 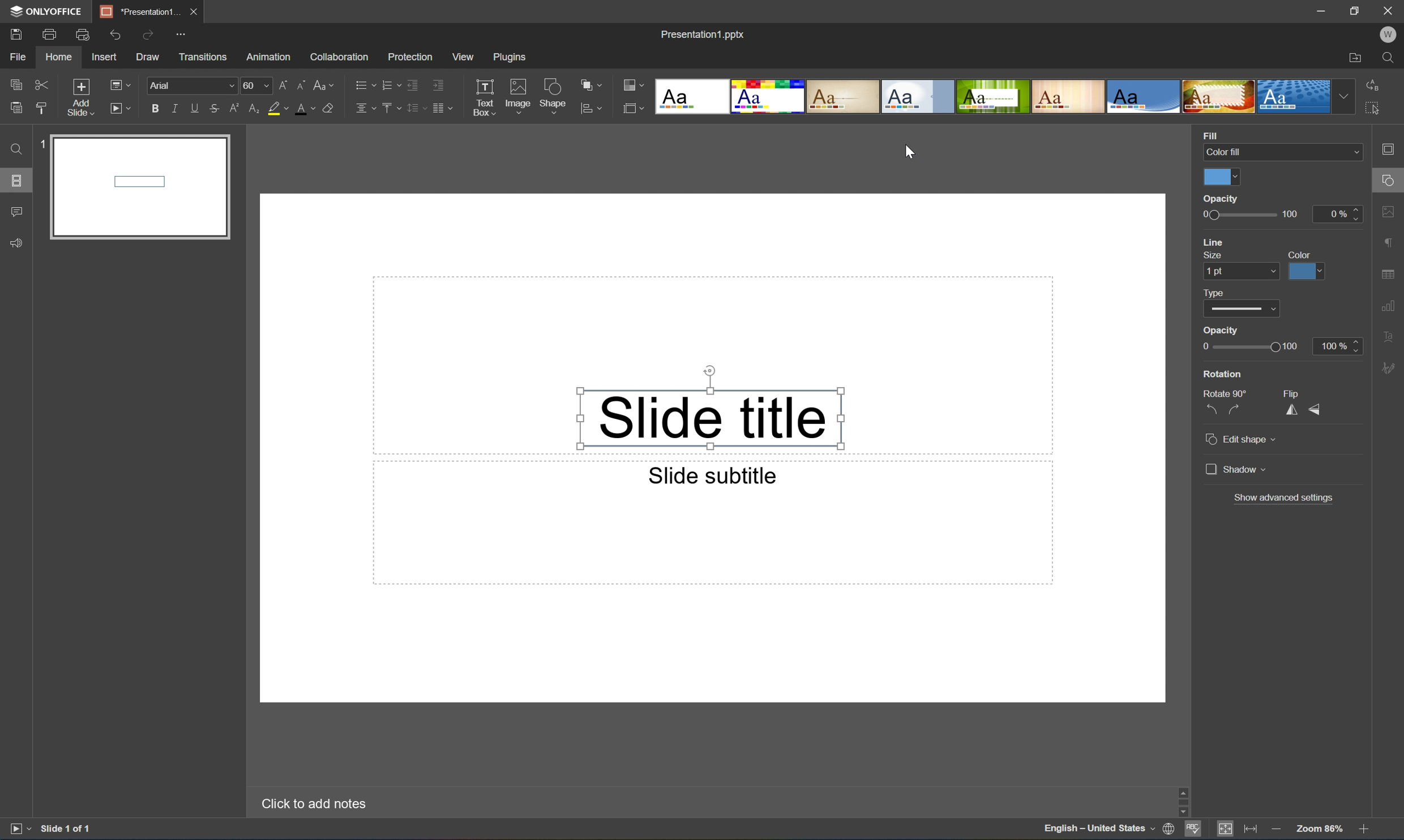 What do you see at coordinates (148, 33) in the screenshot?
I see `Redo` at bounding box center [148, 33].